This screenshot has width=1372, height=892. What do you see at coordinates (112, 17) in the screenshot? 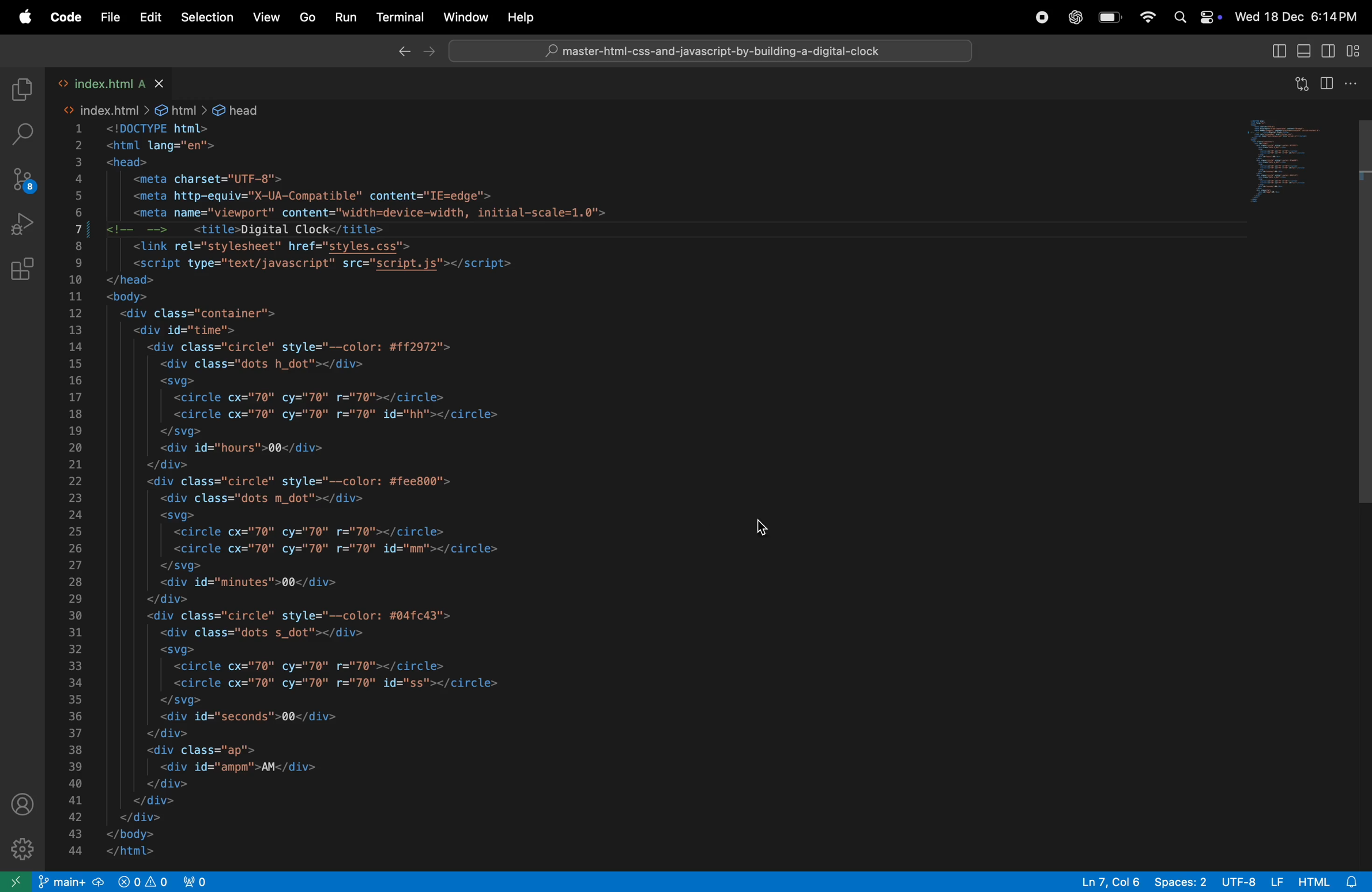
I see `file` at bounding box center [112, 17].